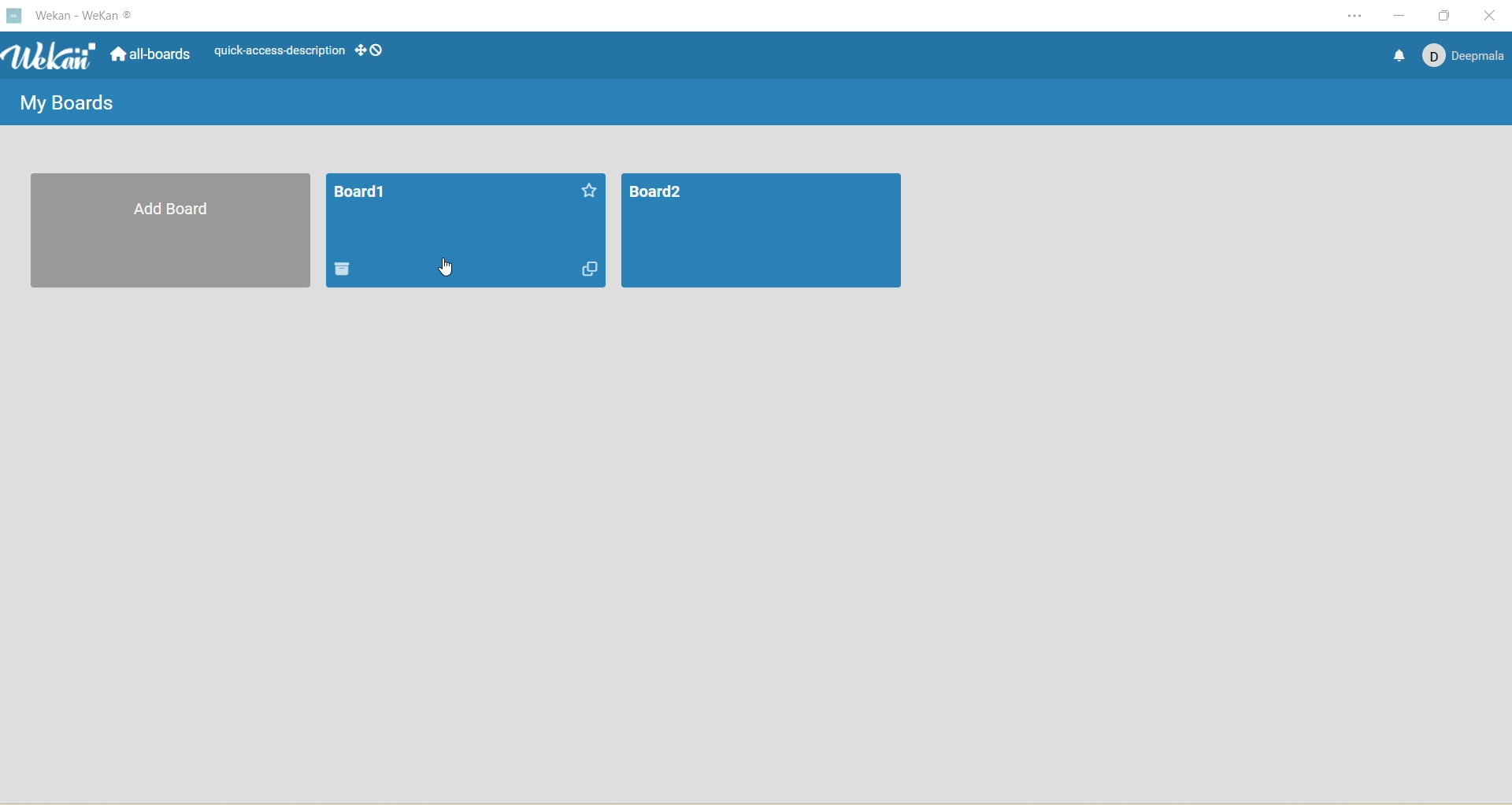 The image size is (1512, 805). I want to click on title, so click(360, 191).